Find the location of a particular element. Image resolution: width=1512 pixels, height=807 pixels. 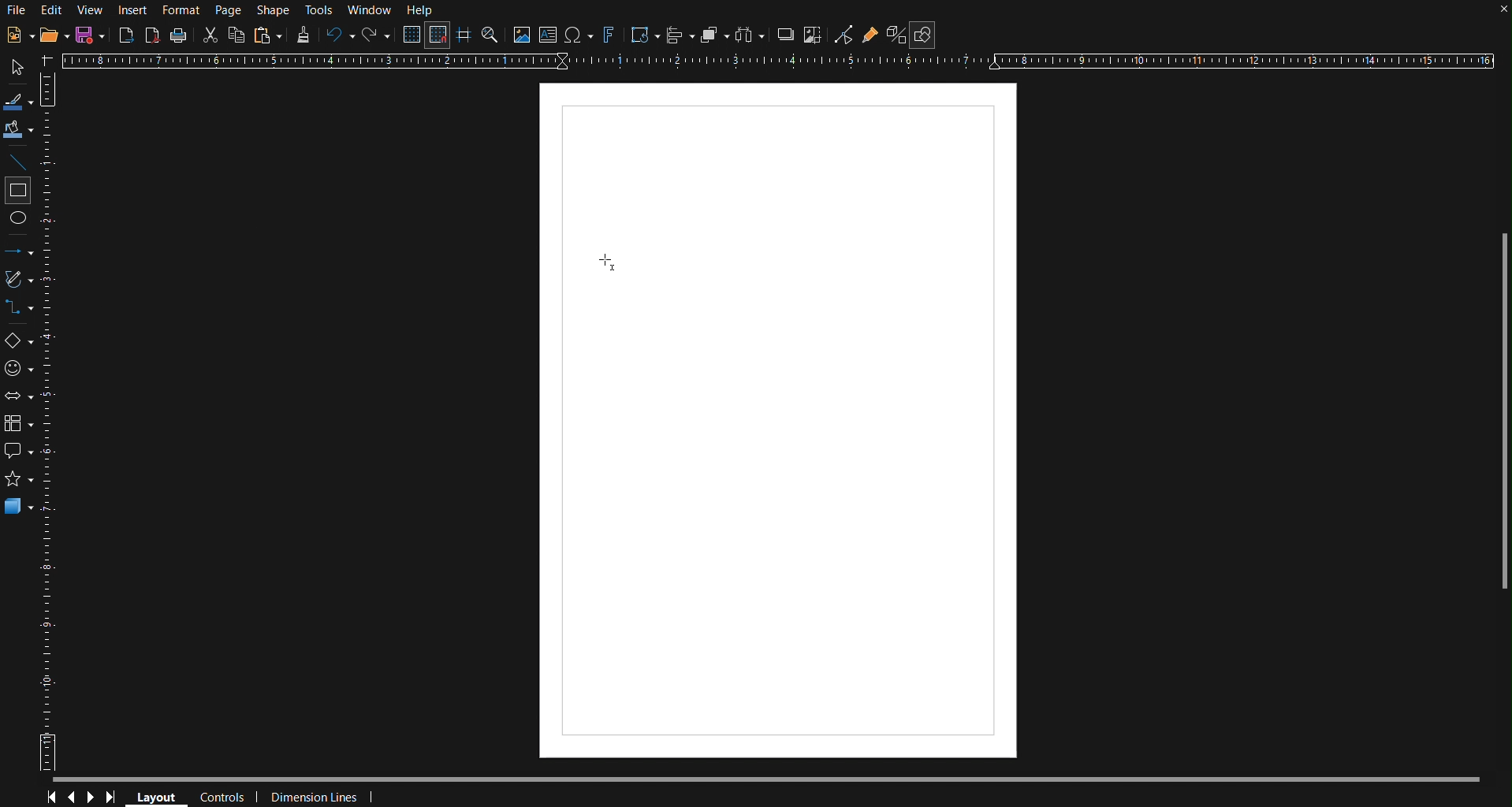

Fontworks is located at coordinates (608, 35).